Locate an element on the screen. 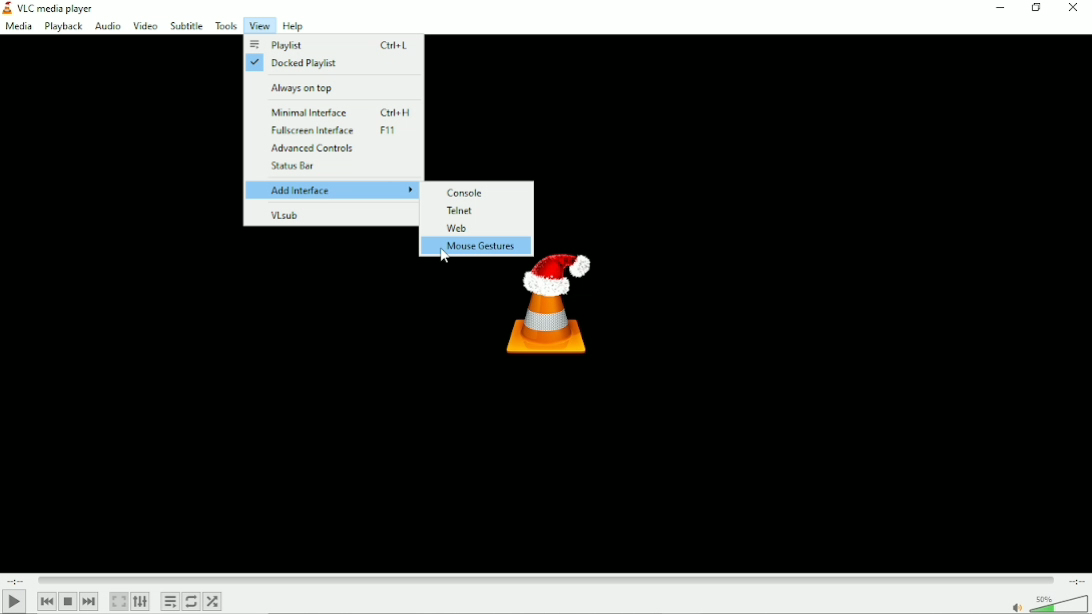  Restore down is located at coordinates (1038, 9).